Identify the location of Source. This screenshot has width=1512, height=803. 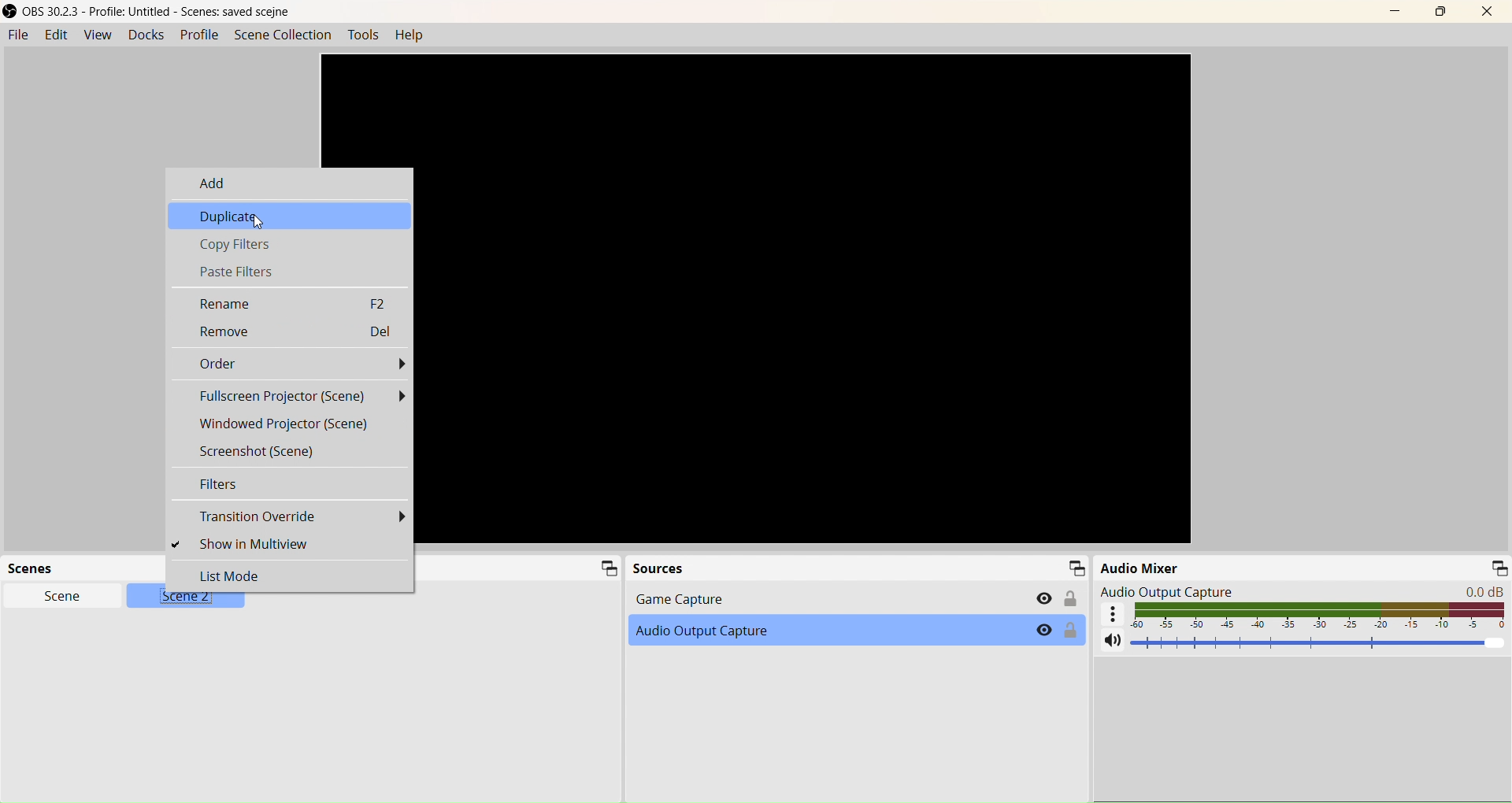
(658, 568).